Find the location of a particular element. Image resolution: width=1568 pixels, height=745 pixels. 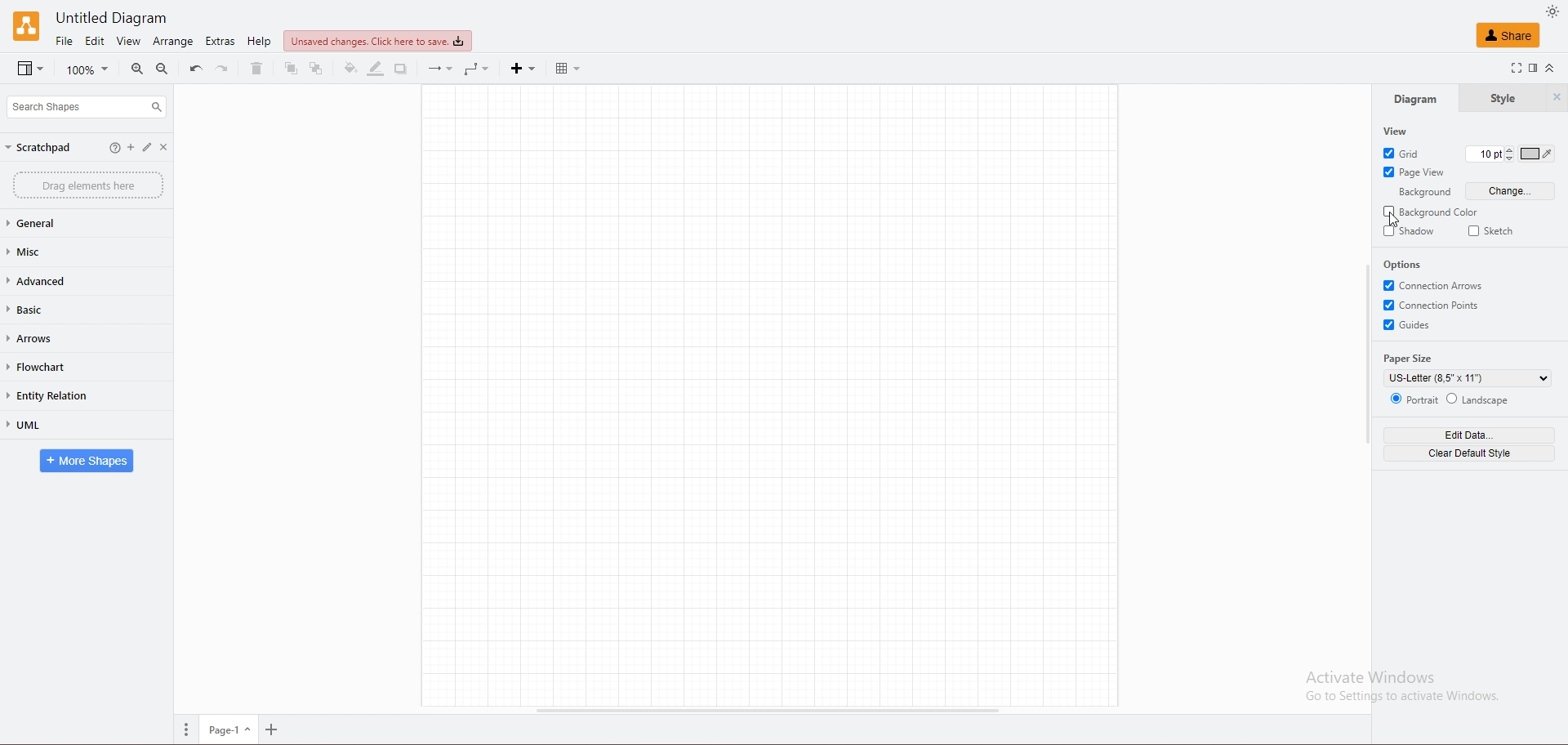

arrows is located at coordinates (61, 339).